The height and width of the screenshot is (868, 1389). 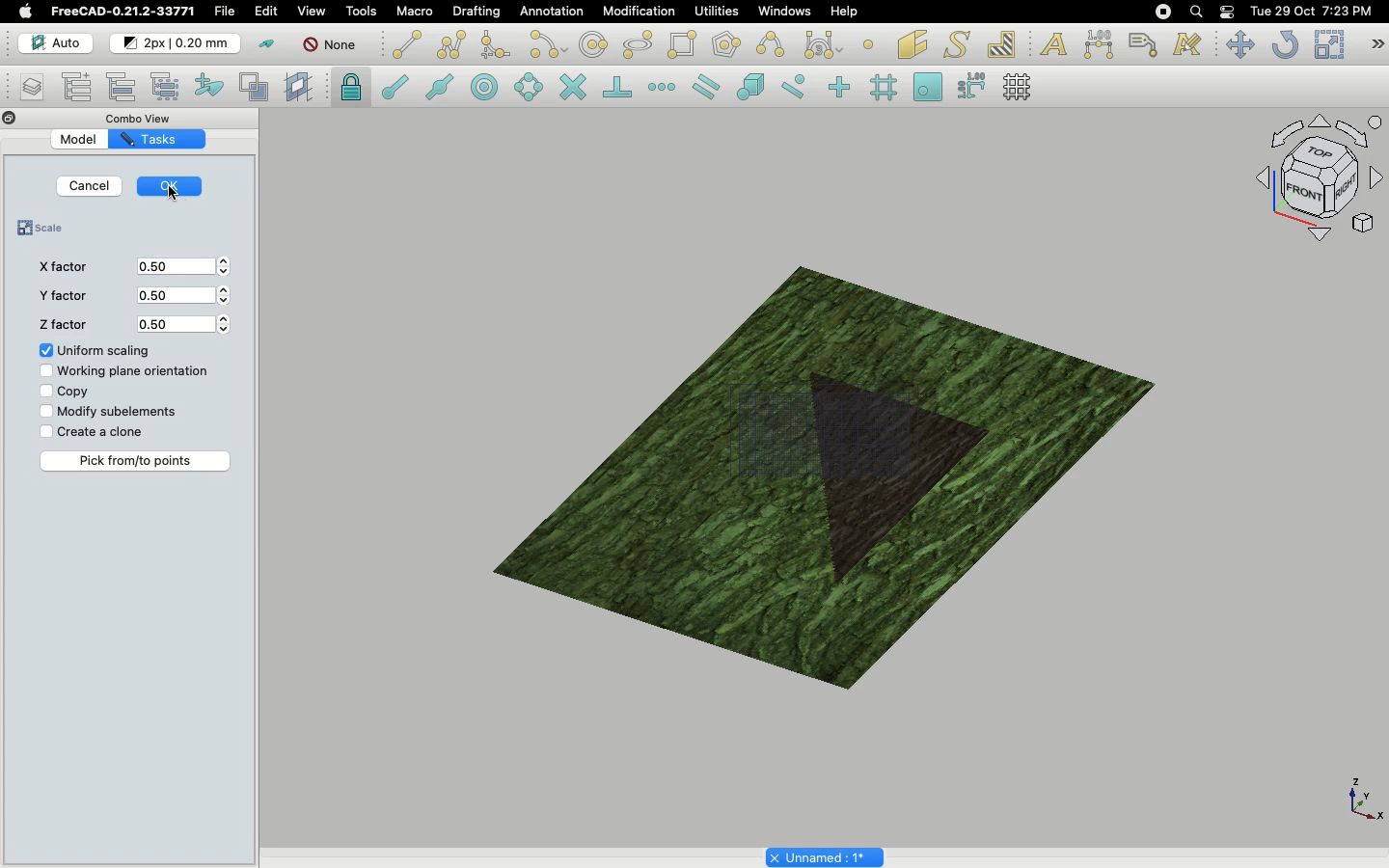 I want to click on Scale, so click(x=1327, y=43).